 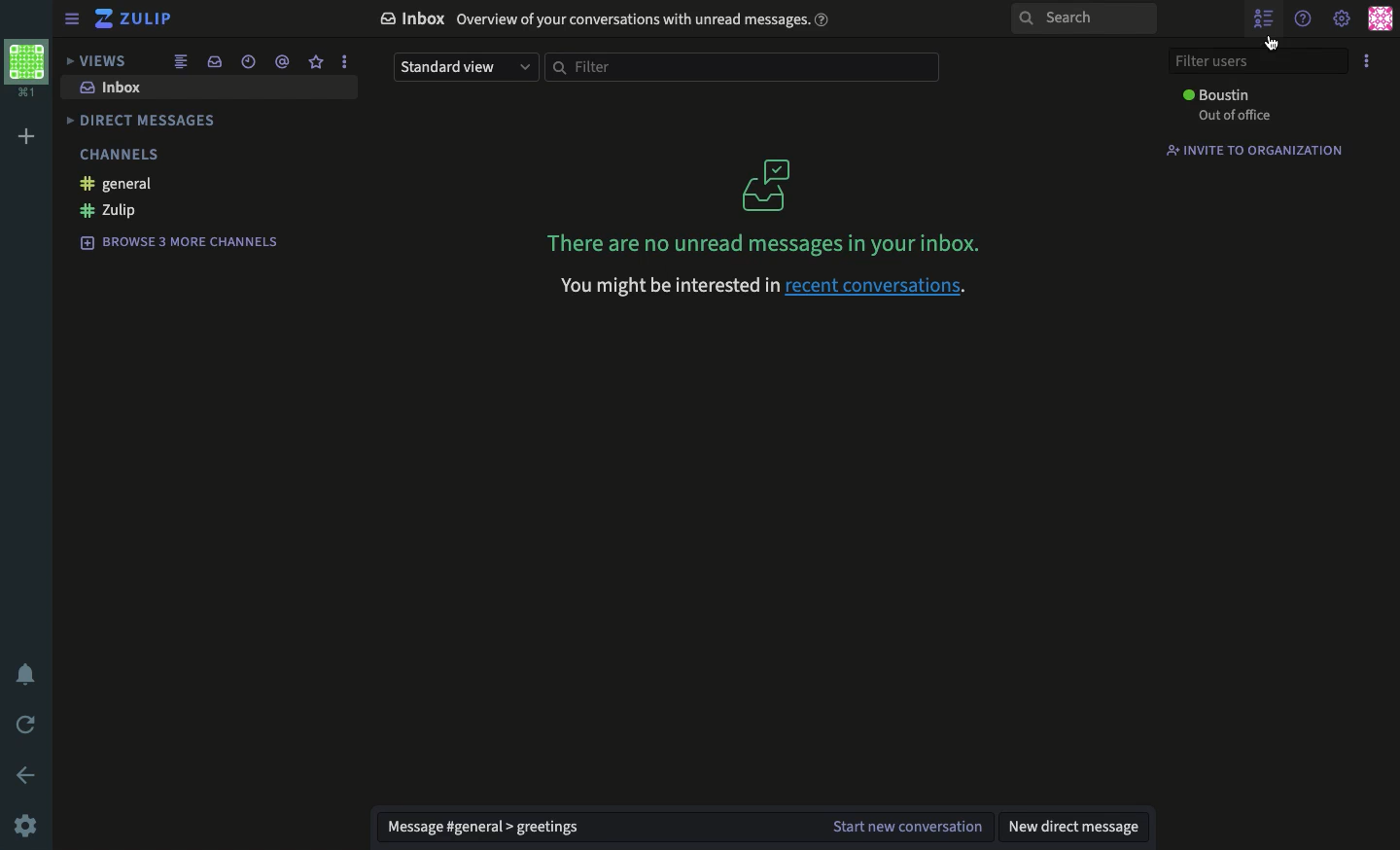 I want to click on invite to organization, so click(x=1256, y=150).